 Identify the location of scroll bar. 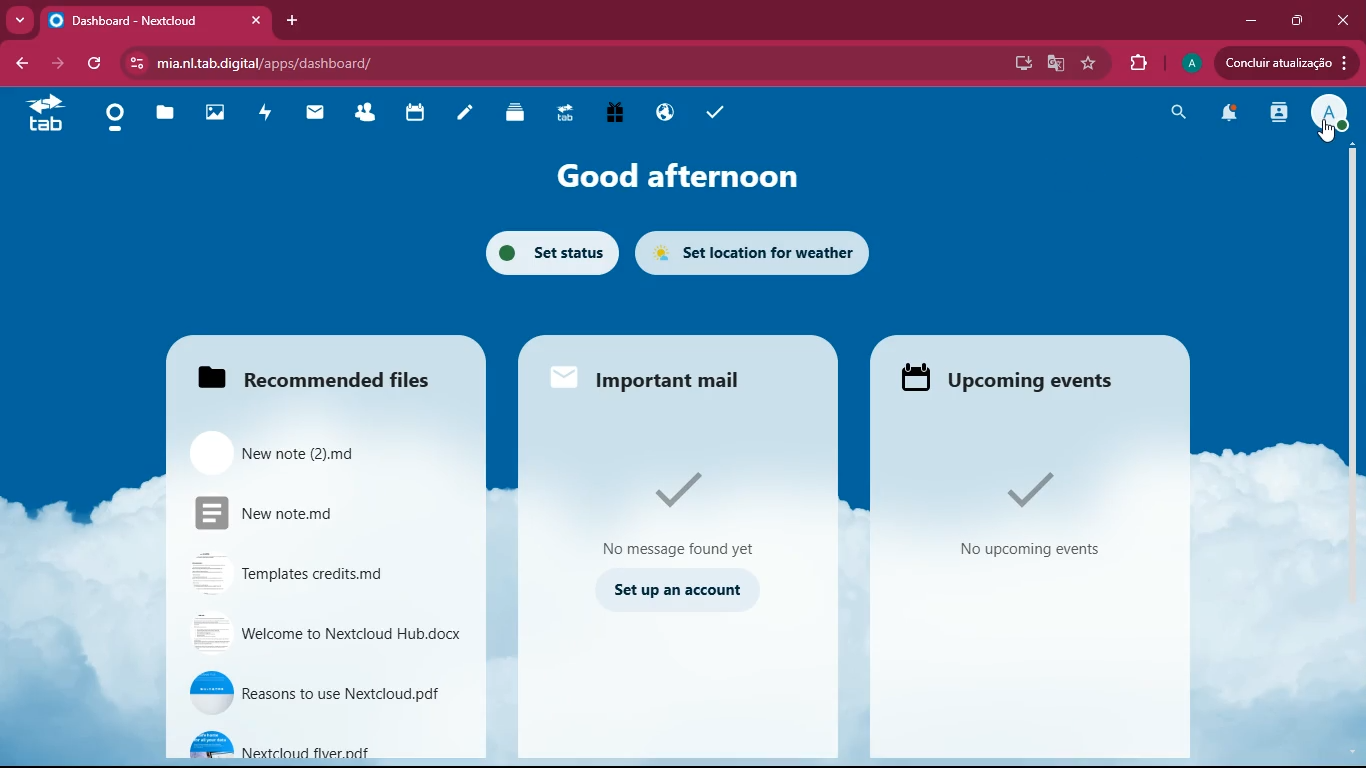
(1351, 318).